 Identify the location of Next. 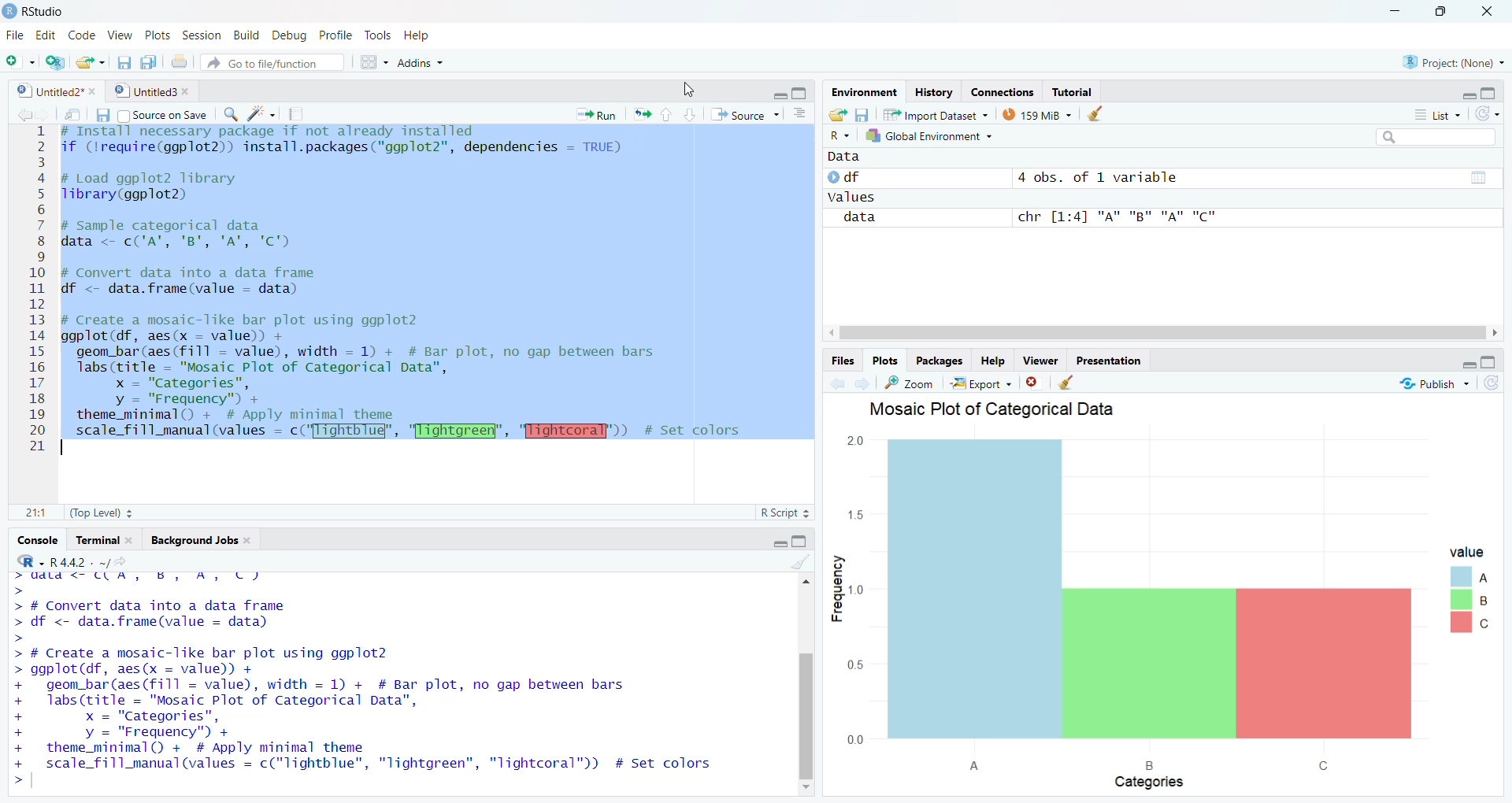
(862, 383).